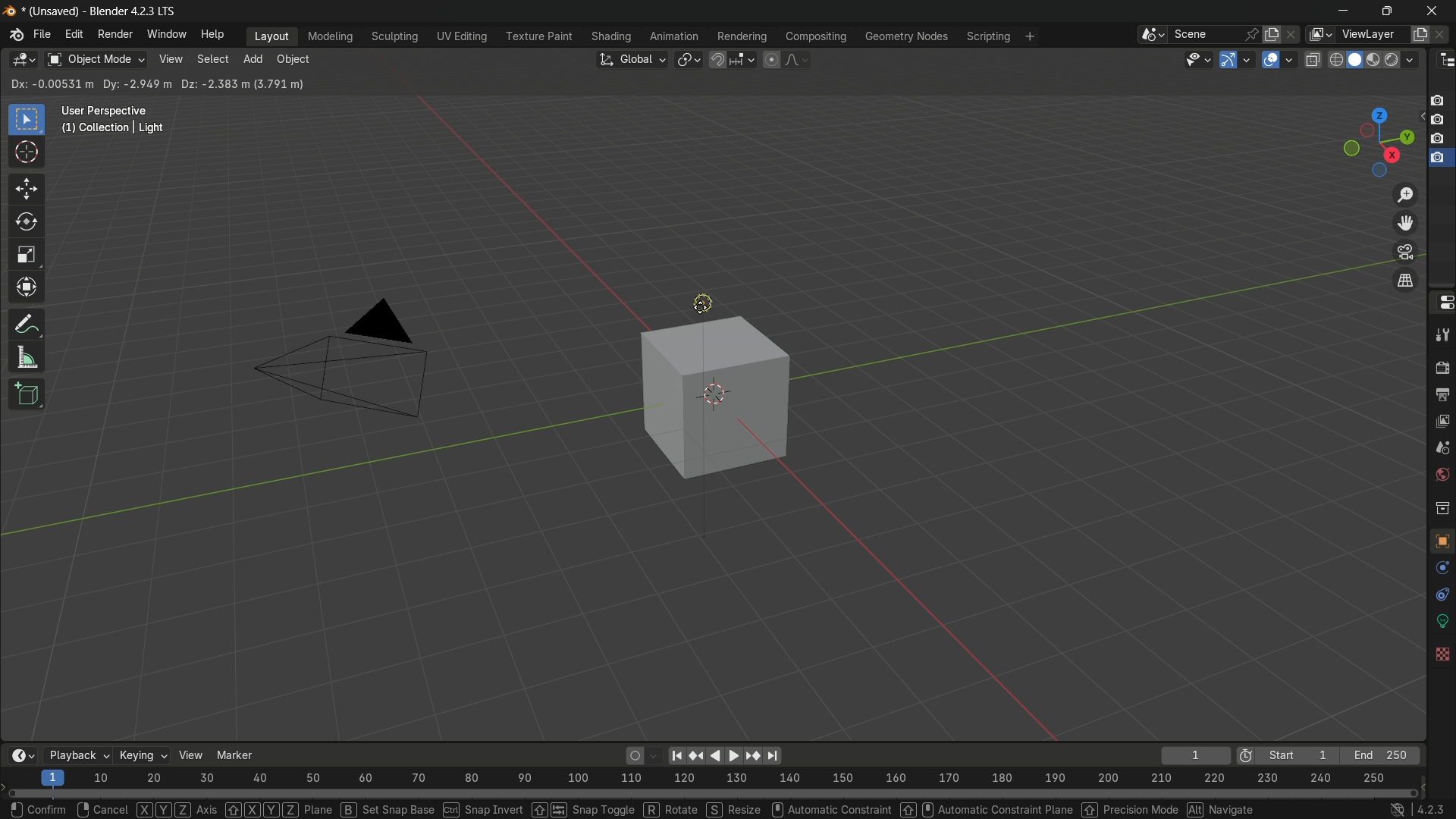 The width and height of the screenshot is (1456, 819). Describe the element at coordinates (742, 36) in the screenshot. I see `rendering menu` at that location.